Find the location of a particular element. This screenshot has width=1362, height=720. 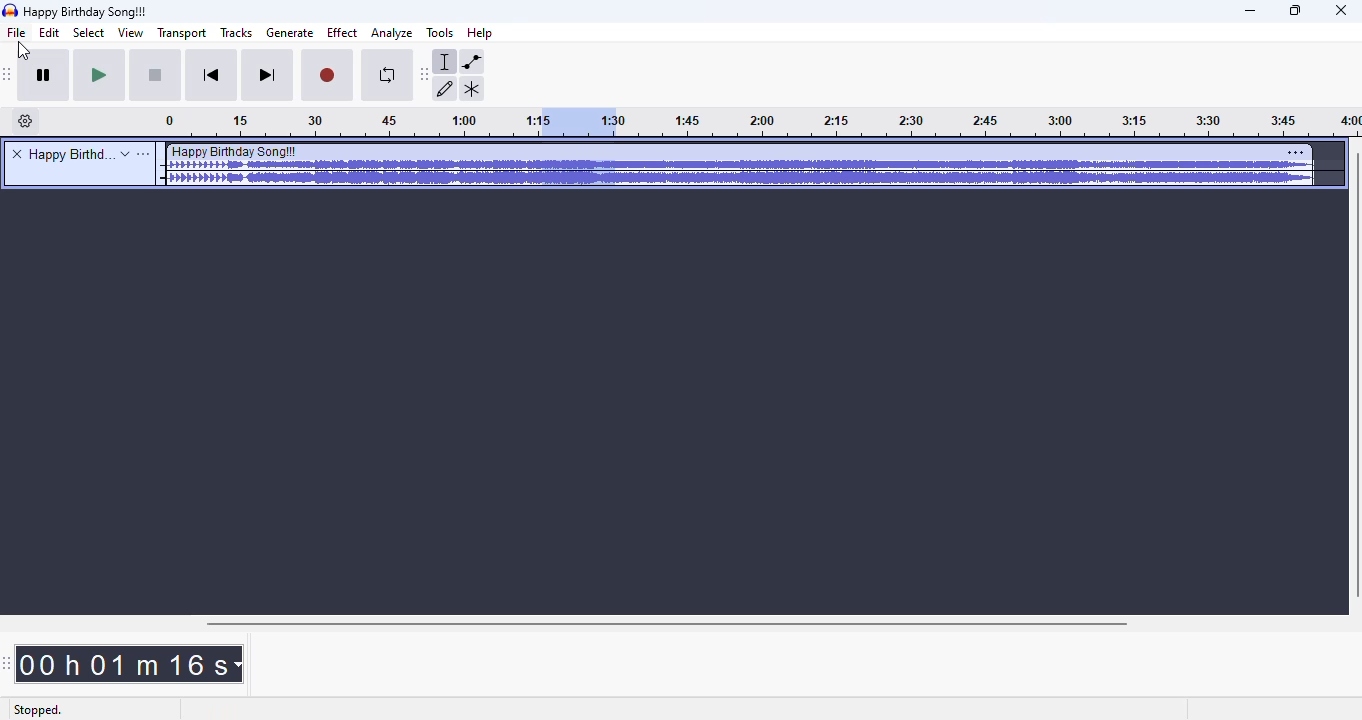

stop is located at coordinates (157, 77).